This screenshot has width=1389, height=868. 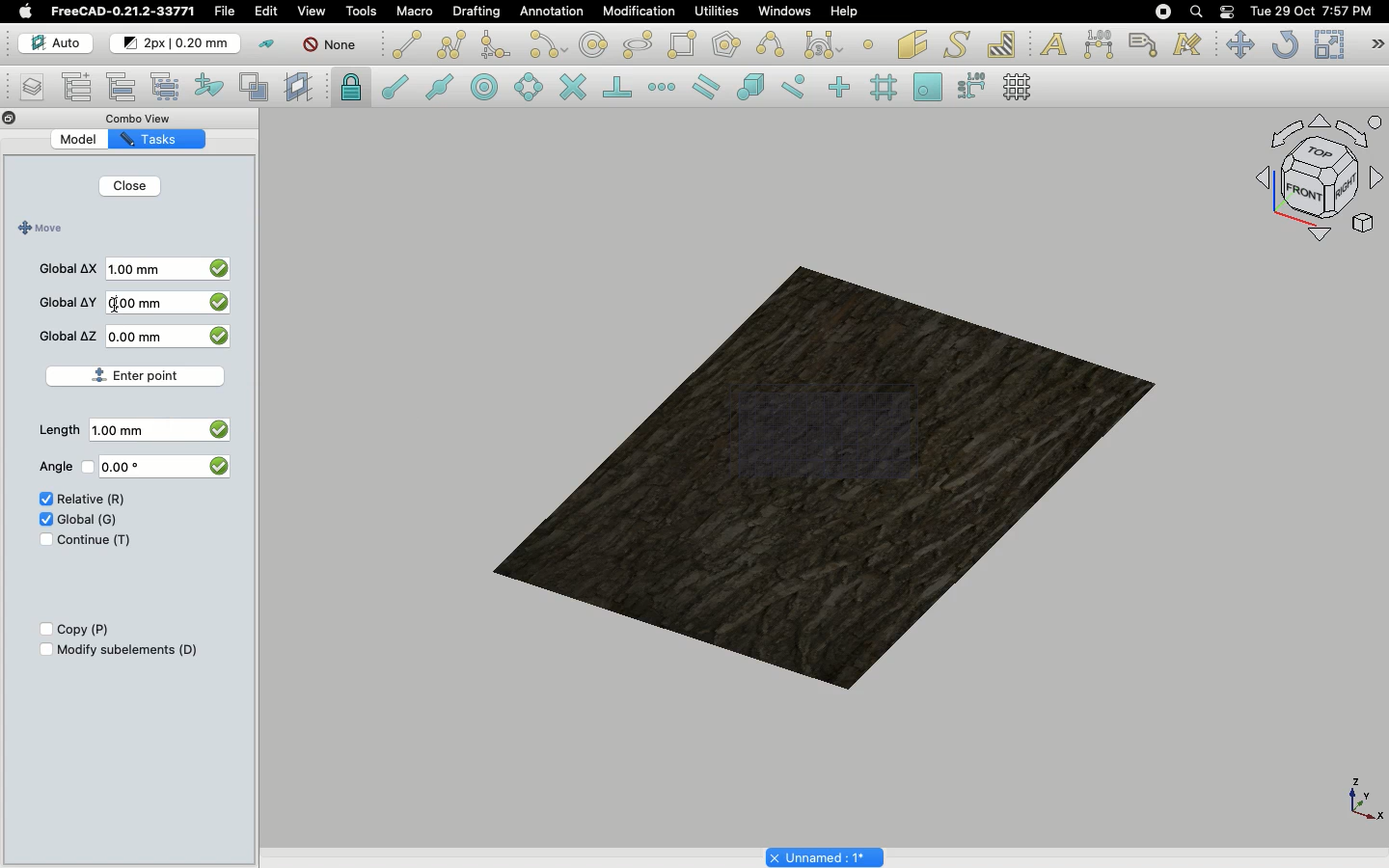 I want to click on Circle, so click(x=594, y=47).